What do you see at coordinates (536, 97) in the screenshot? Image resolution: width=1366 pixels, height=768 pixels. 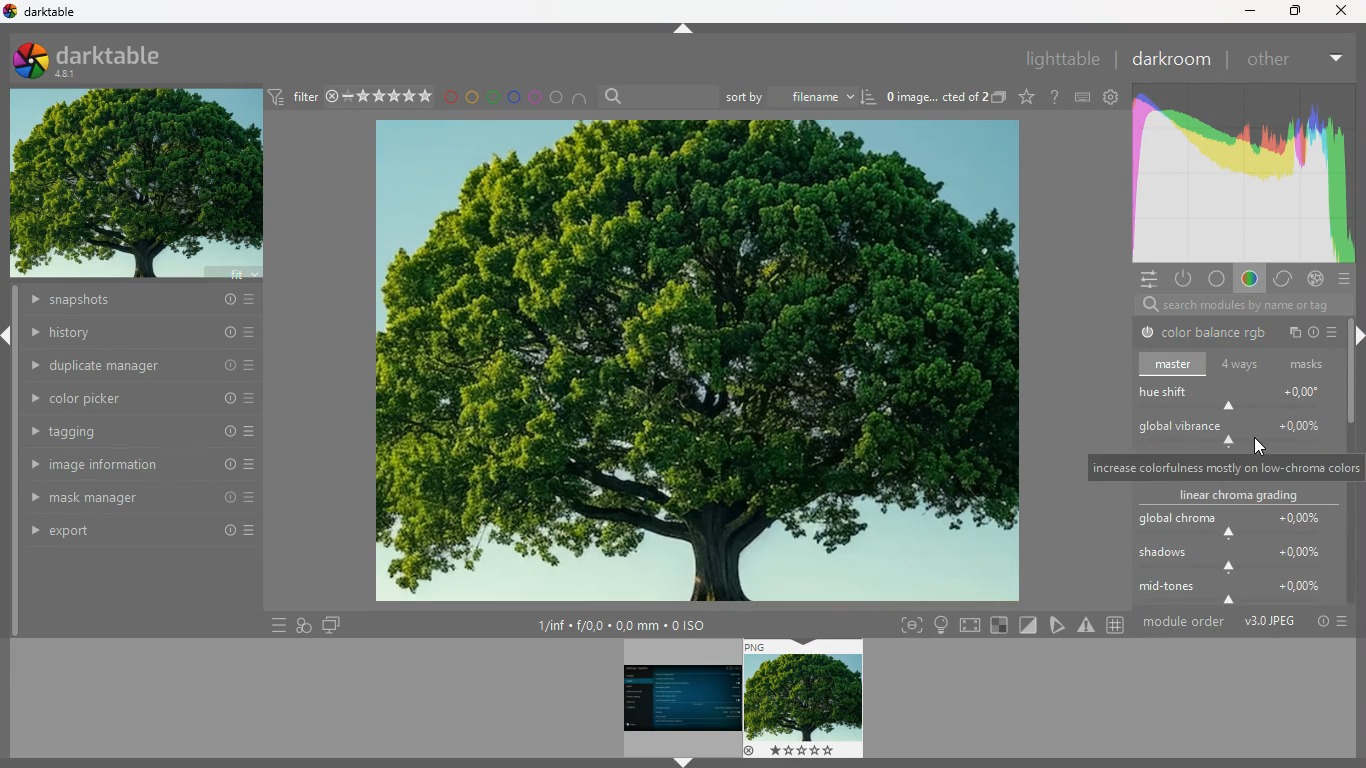 I see `pink` at bounding box center [536, 97].